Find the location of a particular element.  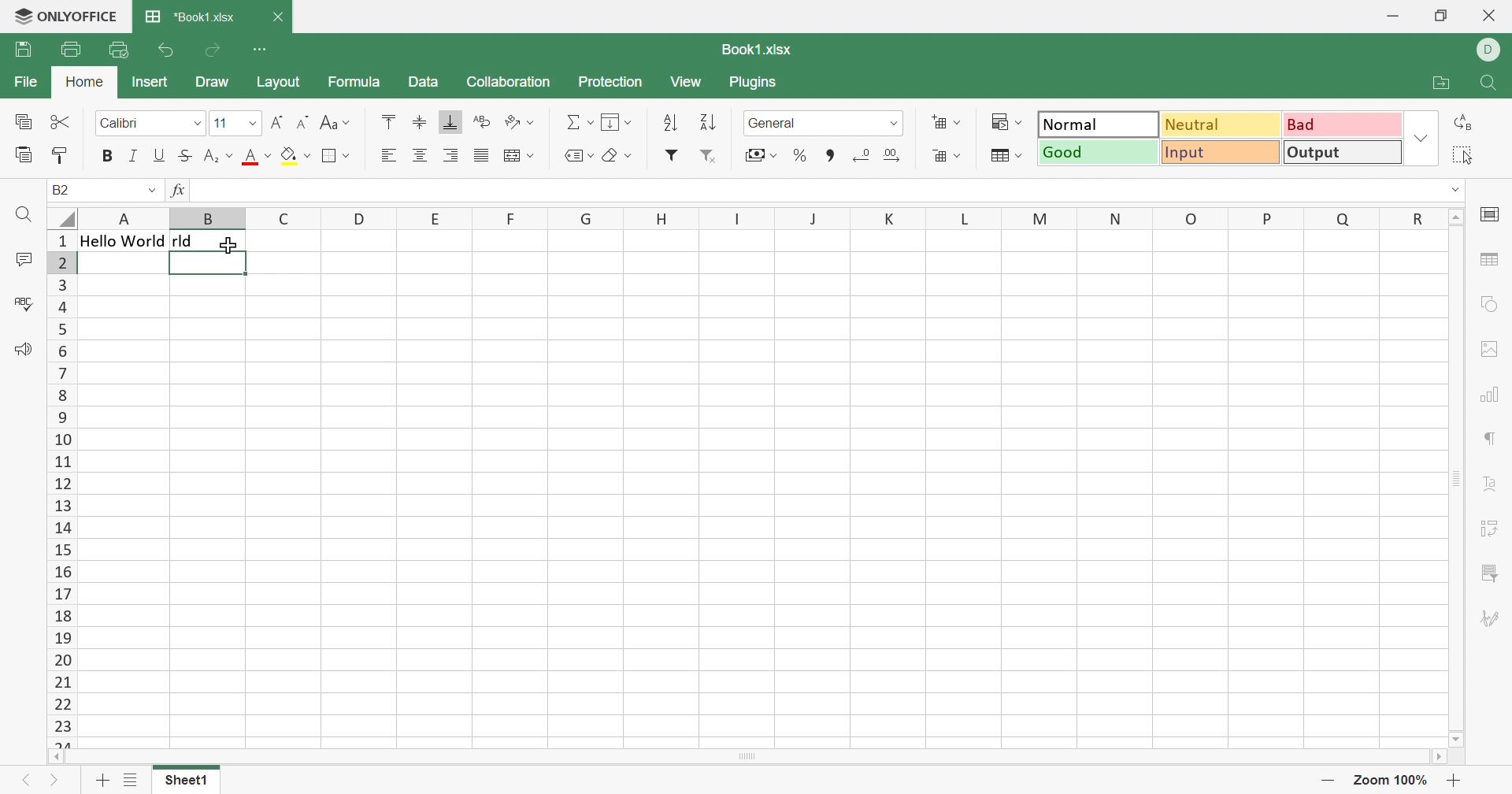

Font is located at coordinates (151, 123).